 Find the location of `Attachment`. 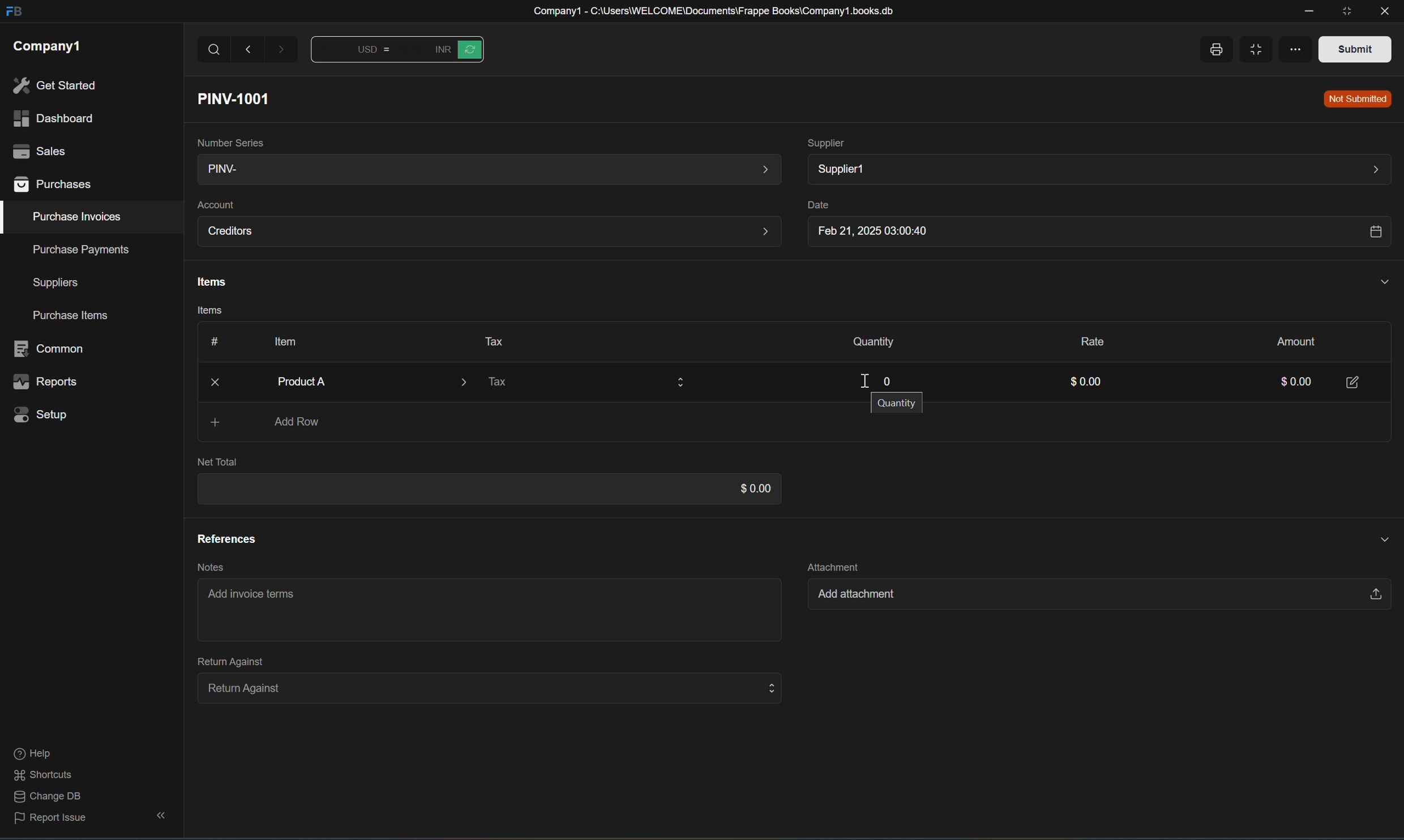

Attachment is located at coordinates (833, 565).